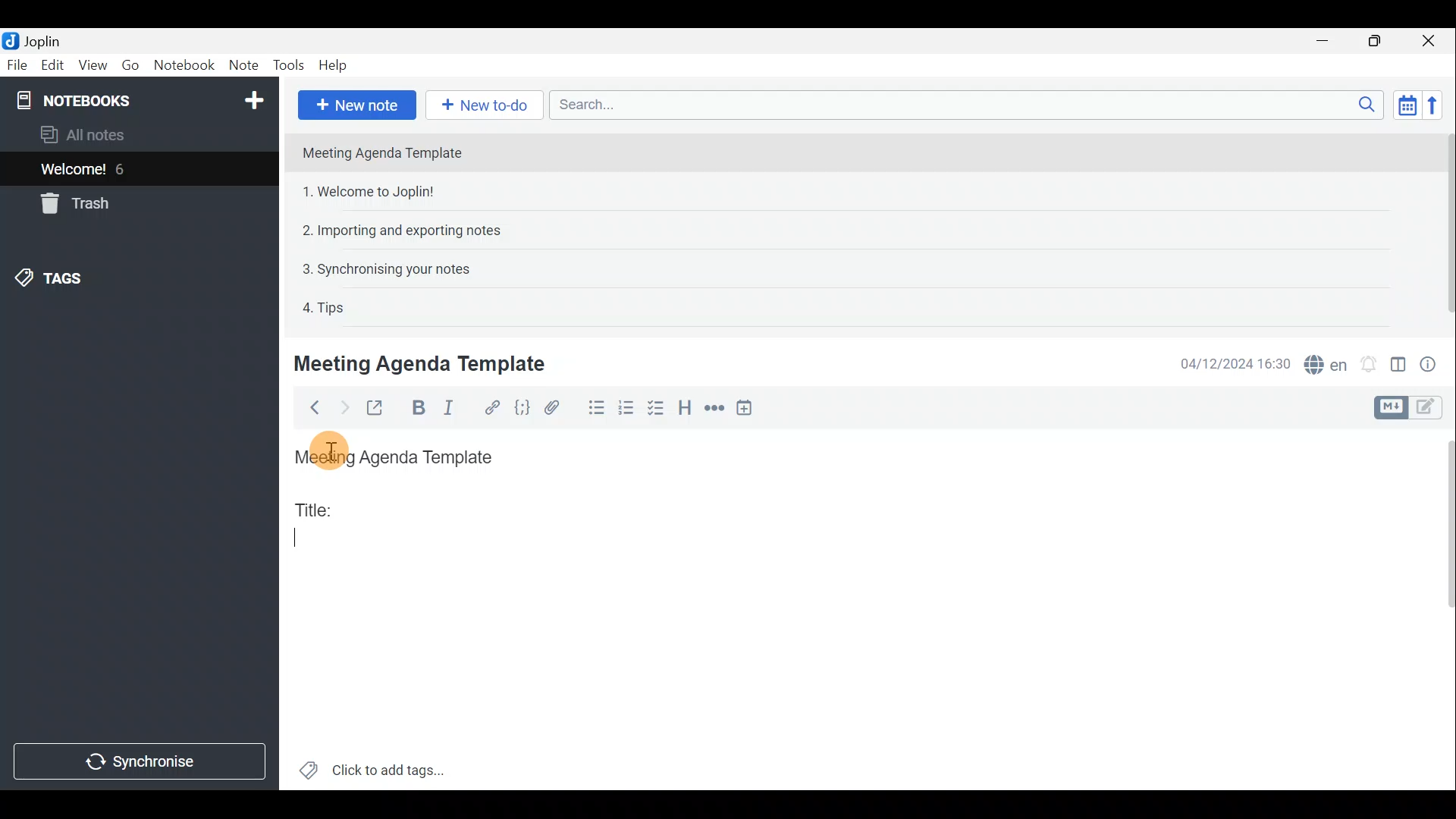 The height and width of the screenshot is (819, 1456). I want to click on View, so click(90, 67).